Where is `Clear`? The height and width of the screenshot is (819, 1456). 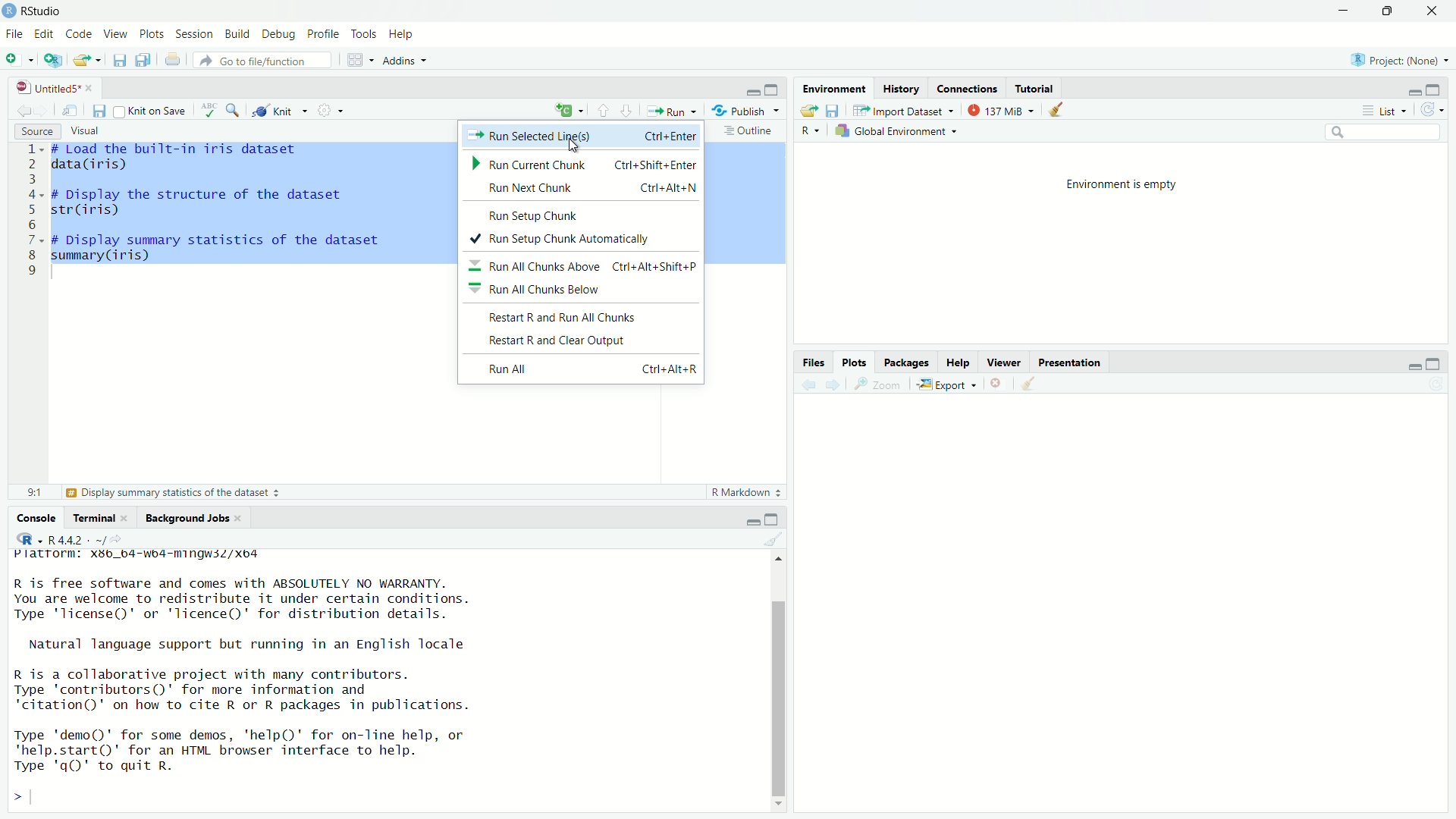 Clear is located at coordinates (1059, 110).